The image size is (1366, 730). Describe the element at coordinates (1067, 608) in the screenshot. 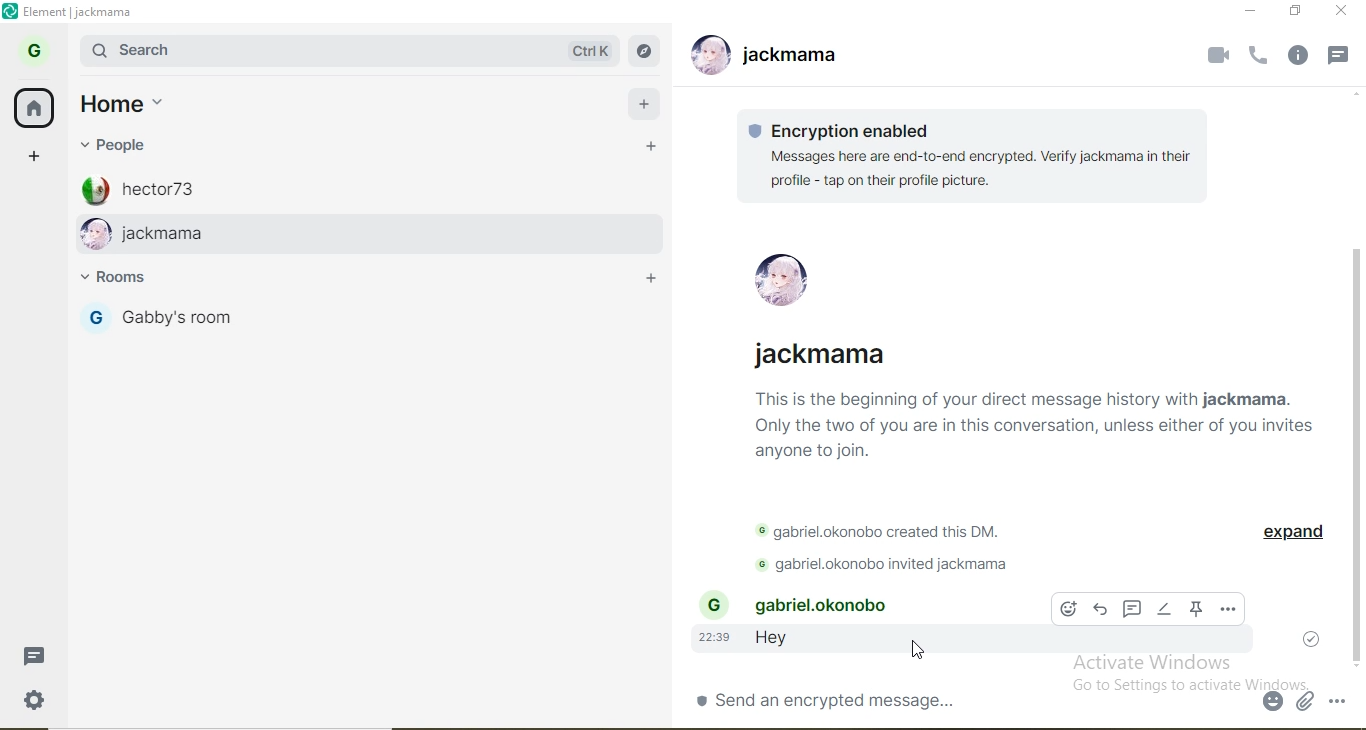

I see `emoji` at that location.